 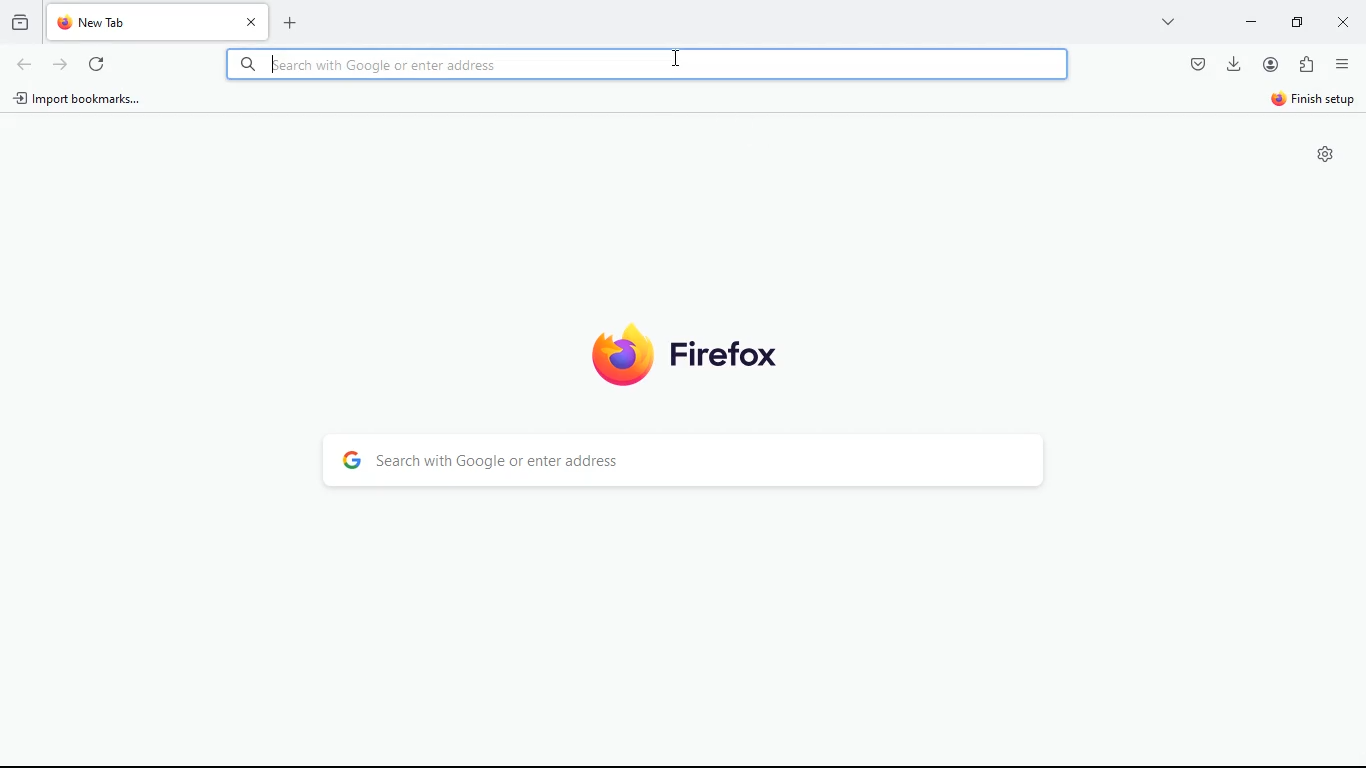 I want to click on settings, so click(x=1329, y=156).